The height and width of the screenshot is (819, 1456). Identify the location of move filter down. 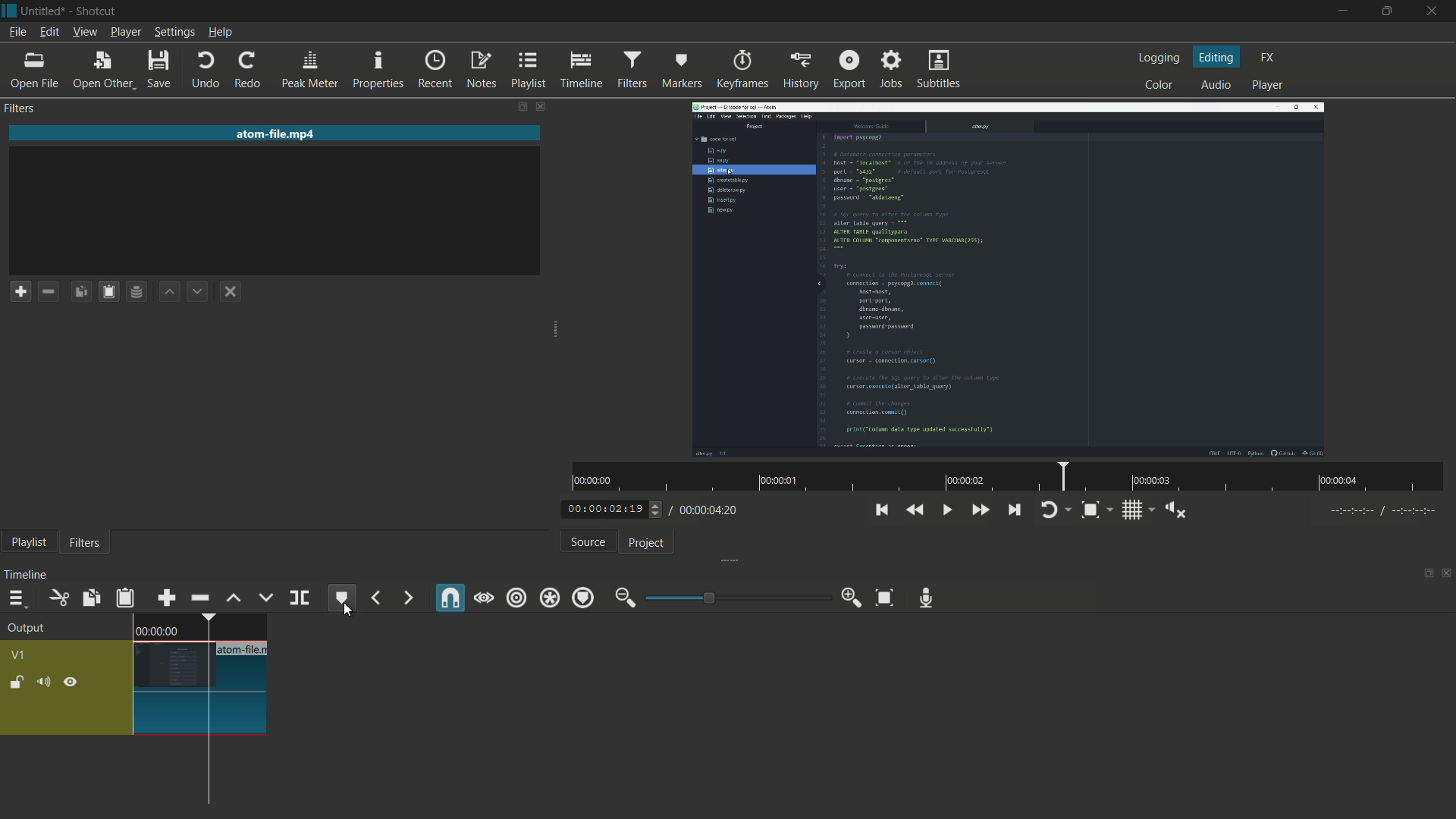
(197, 290).